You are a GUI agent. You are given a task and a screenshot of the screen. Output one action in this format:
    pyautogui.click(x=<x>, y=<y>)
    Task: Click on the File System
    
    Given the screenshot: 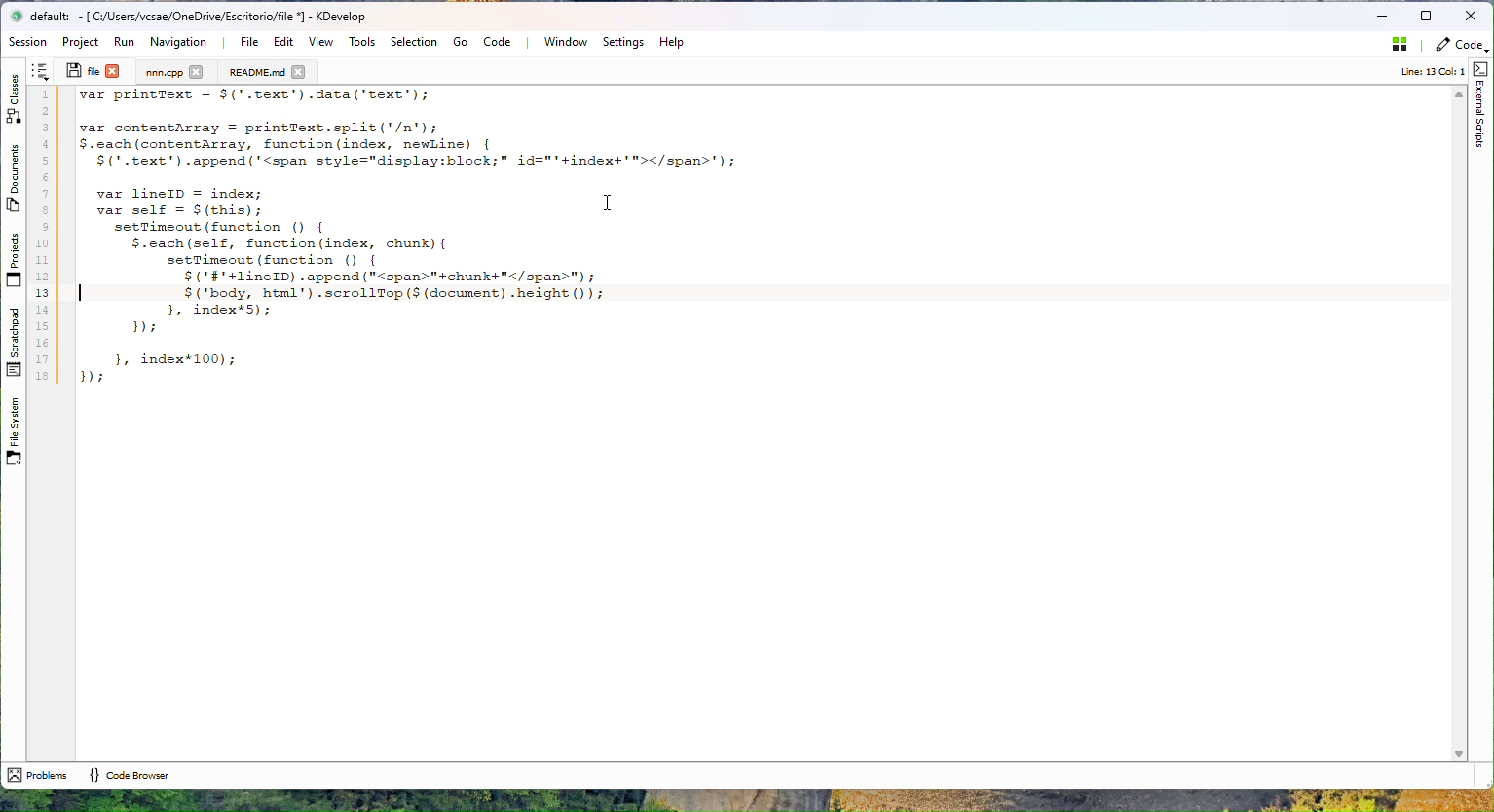 What is the action you would take?
    pyautogui.click(x=12, y=436)
    